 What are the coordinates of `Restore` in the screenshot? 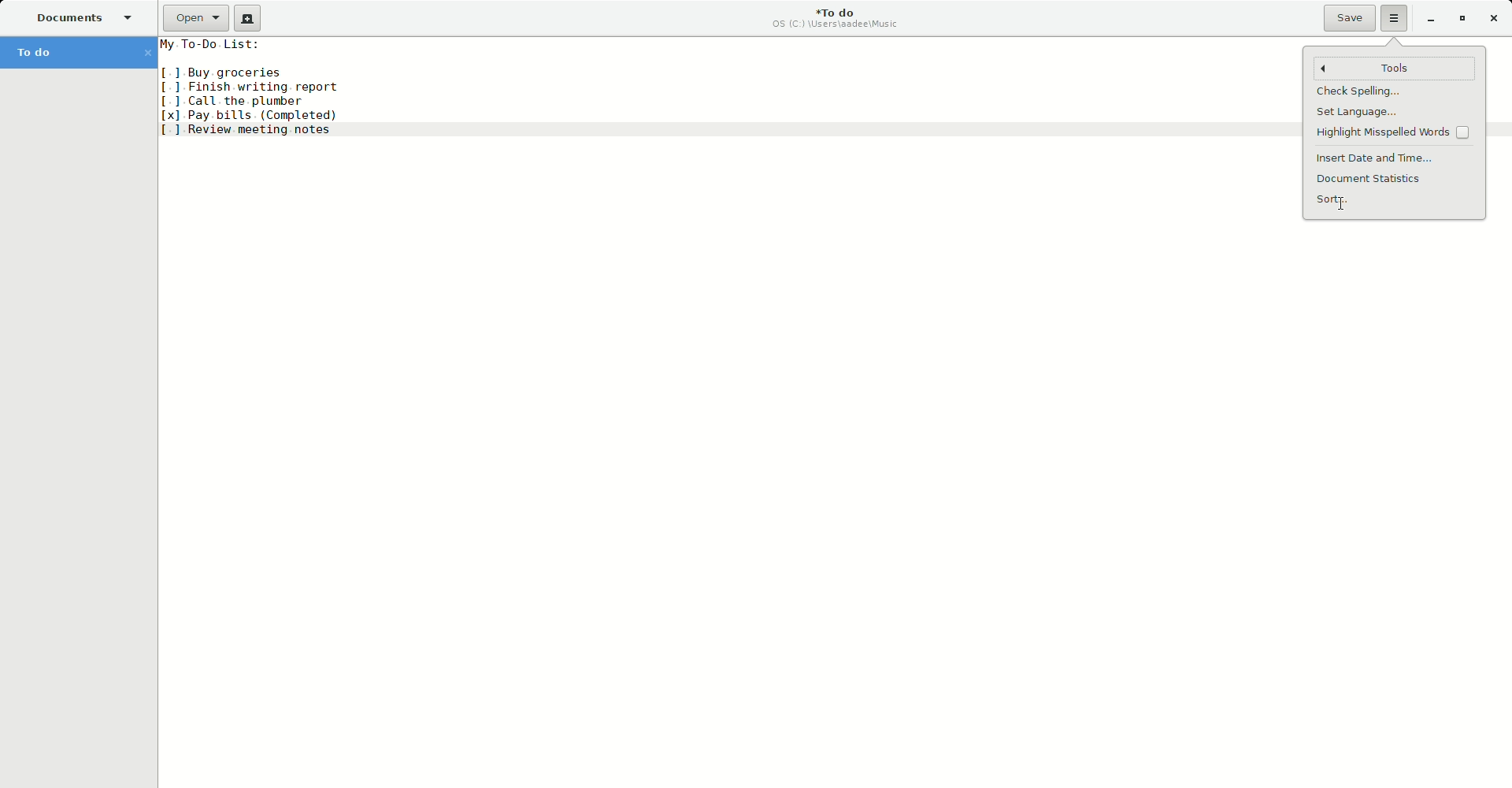 It's located at (1463, 18).